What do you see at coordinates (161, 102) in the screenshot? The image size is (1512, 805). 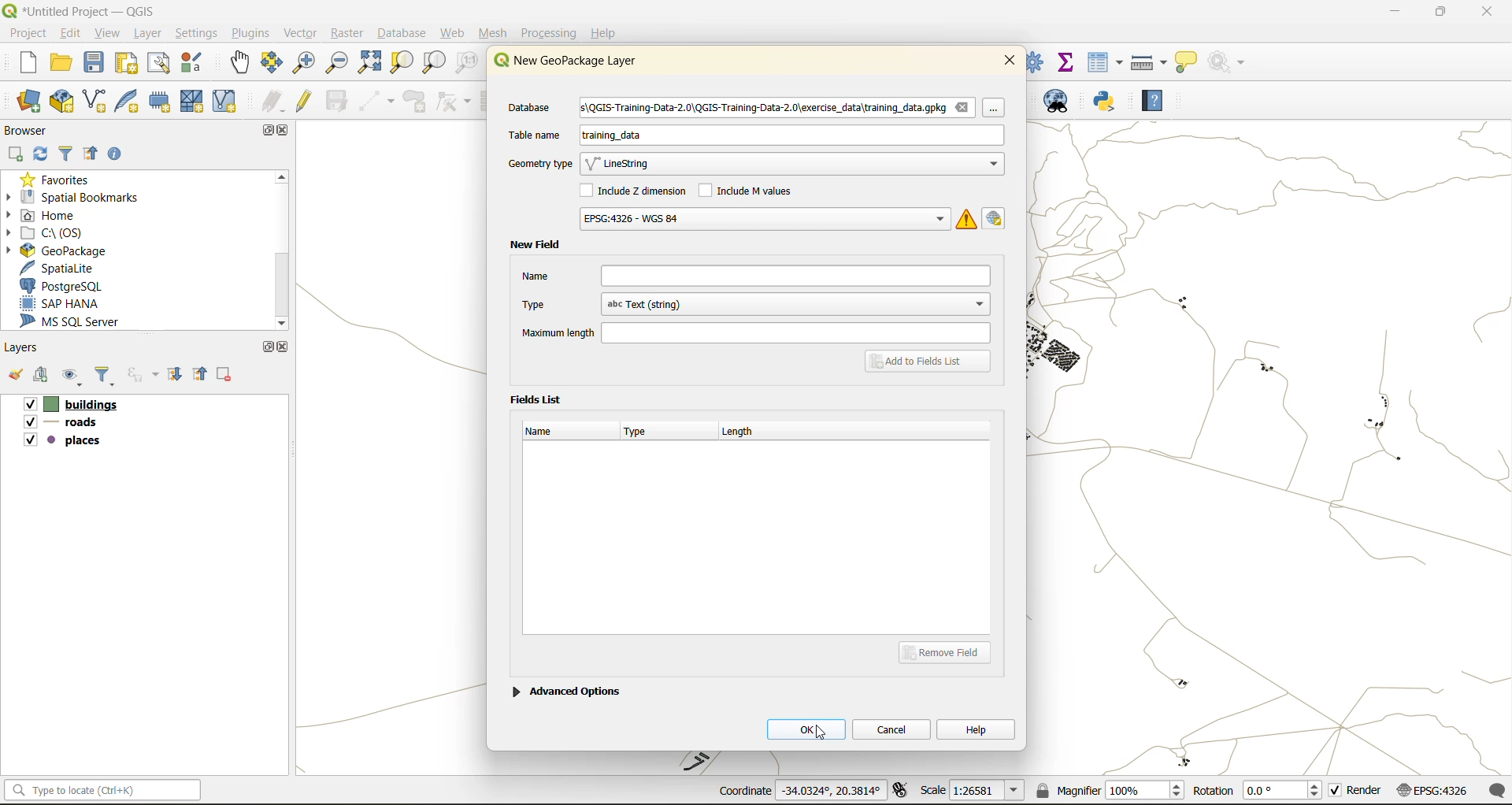 I see `temporary scratch layer` at bounding box center [161, 102].